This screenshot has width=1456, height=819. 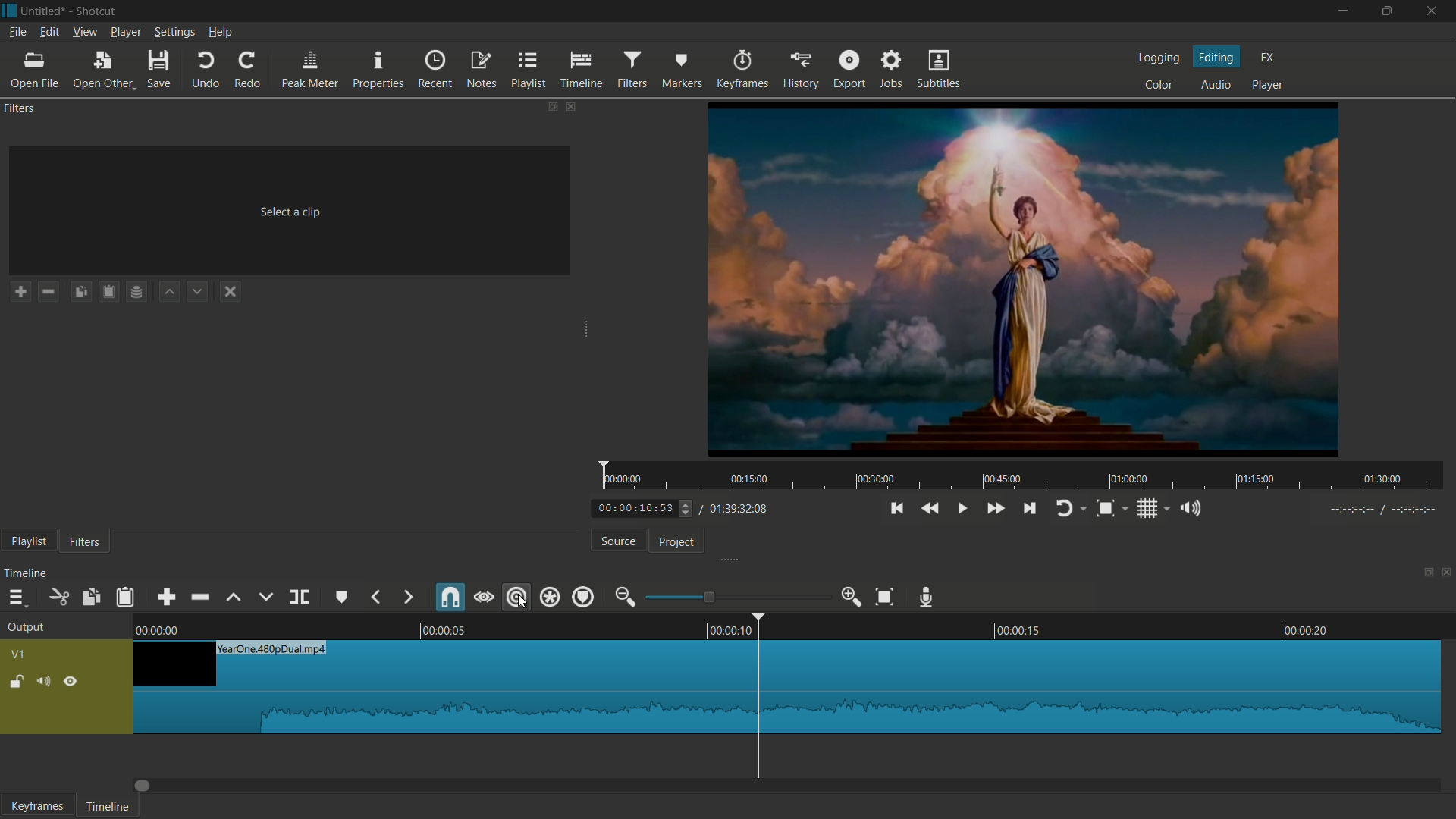 I want to click on output, so click(x=27, y=629).